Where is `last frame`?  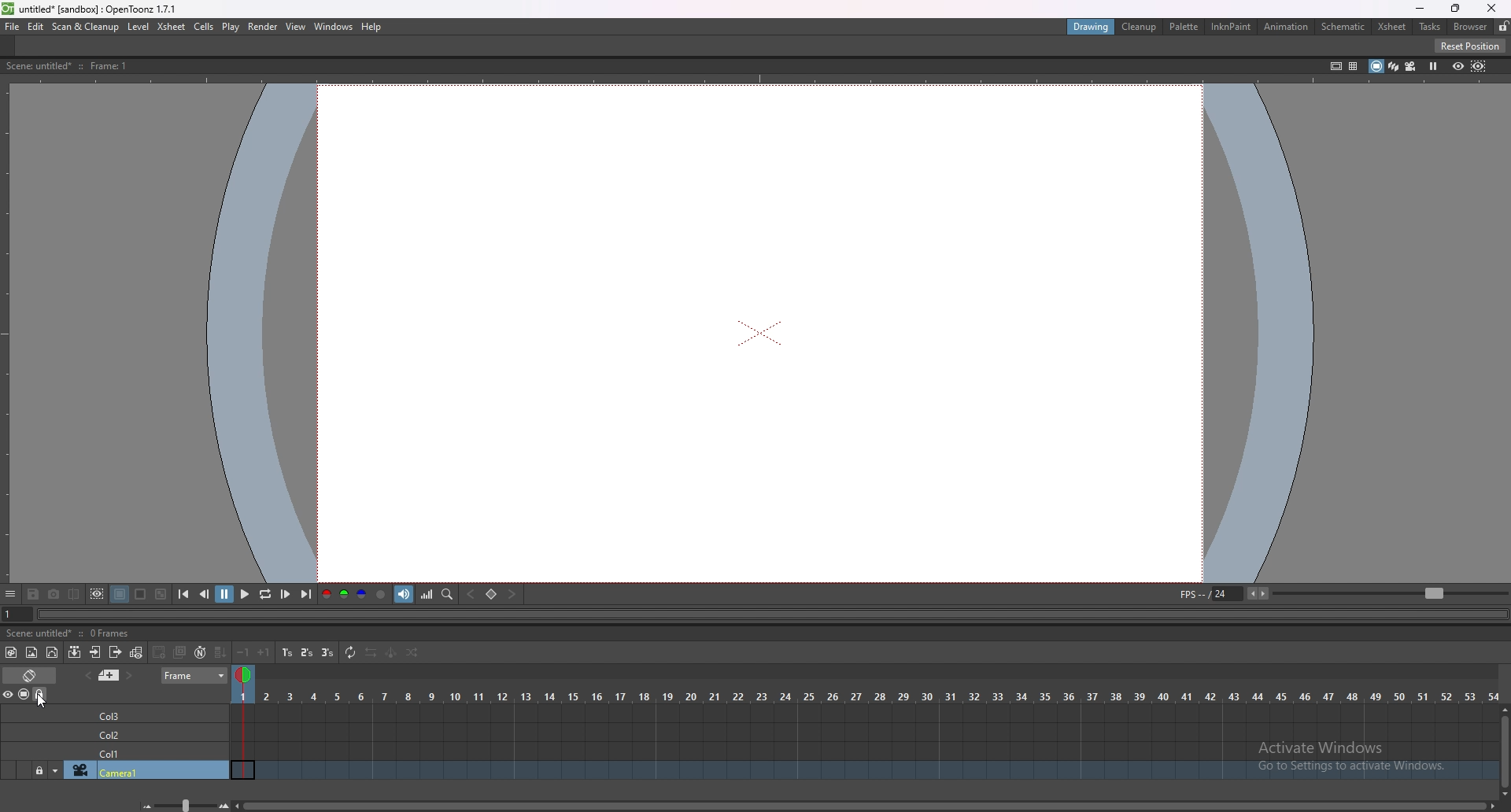 last frame is located at coordinates (305, 595).